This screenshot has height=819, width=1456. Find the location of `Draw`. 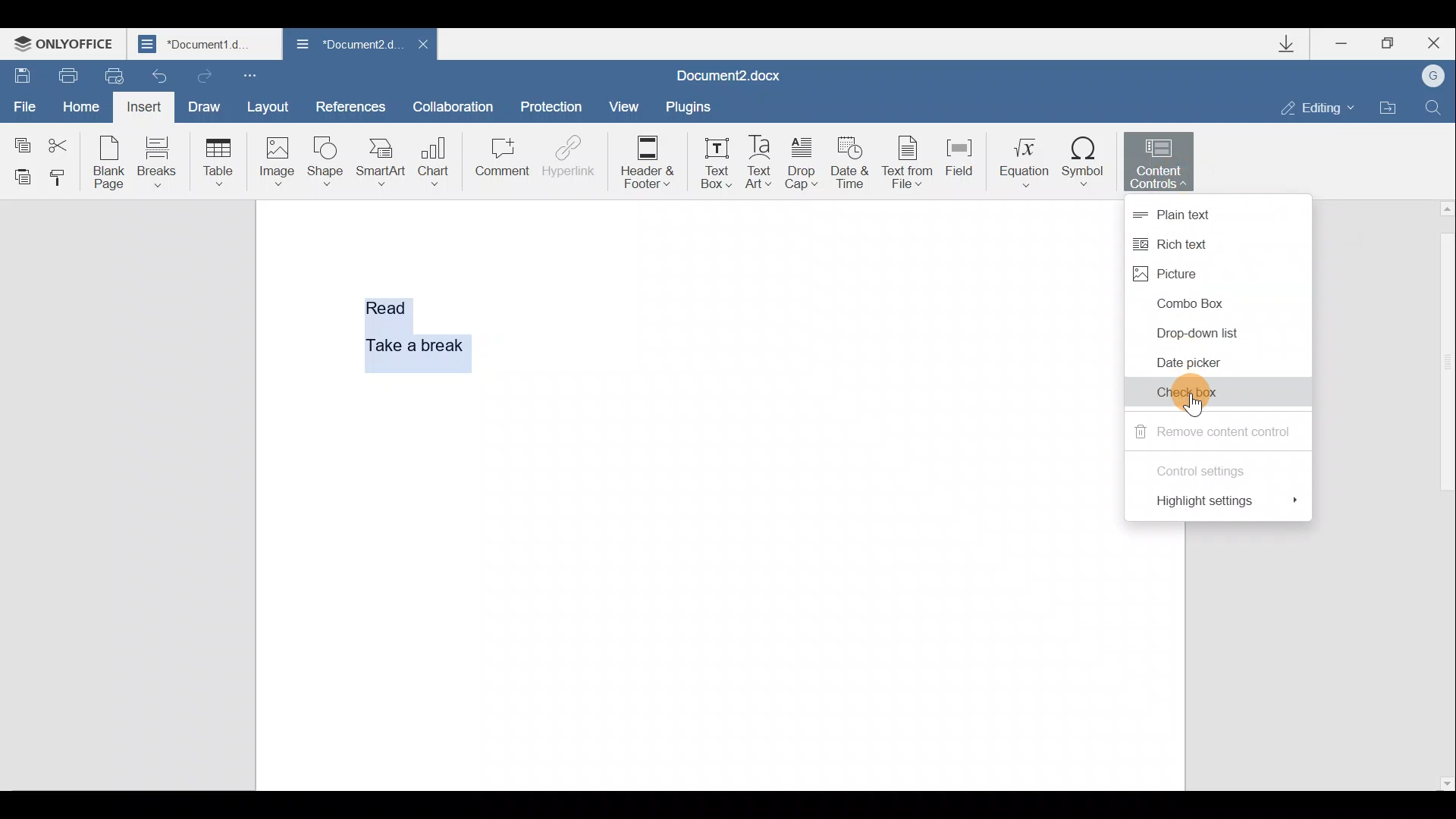

Draw is located at coordinates (206, 105).